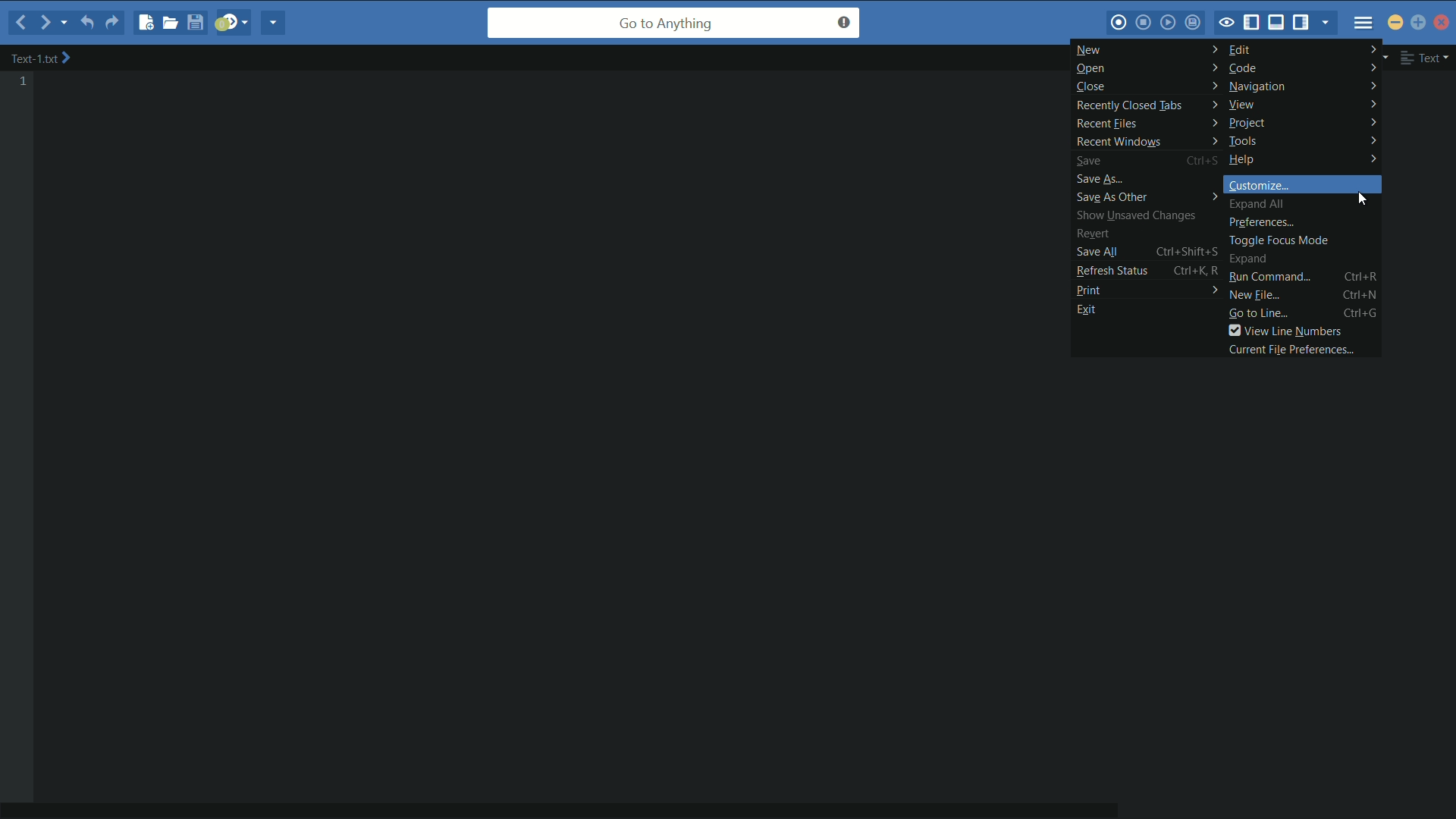 This screenshot has width=1456, height=819. What do you see at coordinates (1294, 350) in the screenshot?
I see `current file preferences` at bounding box center [1294, 350].